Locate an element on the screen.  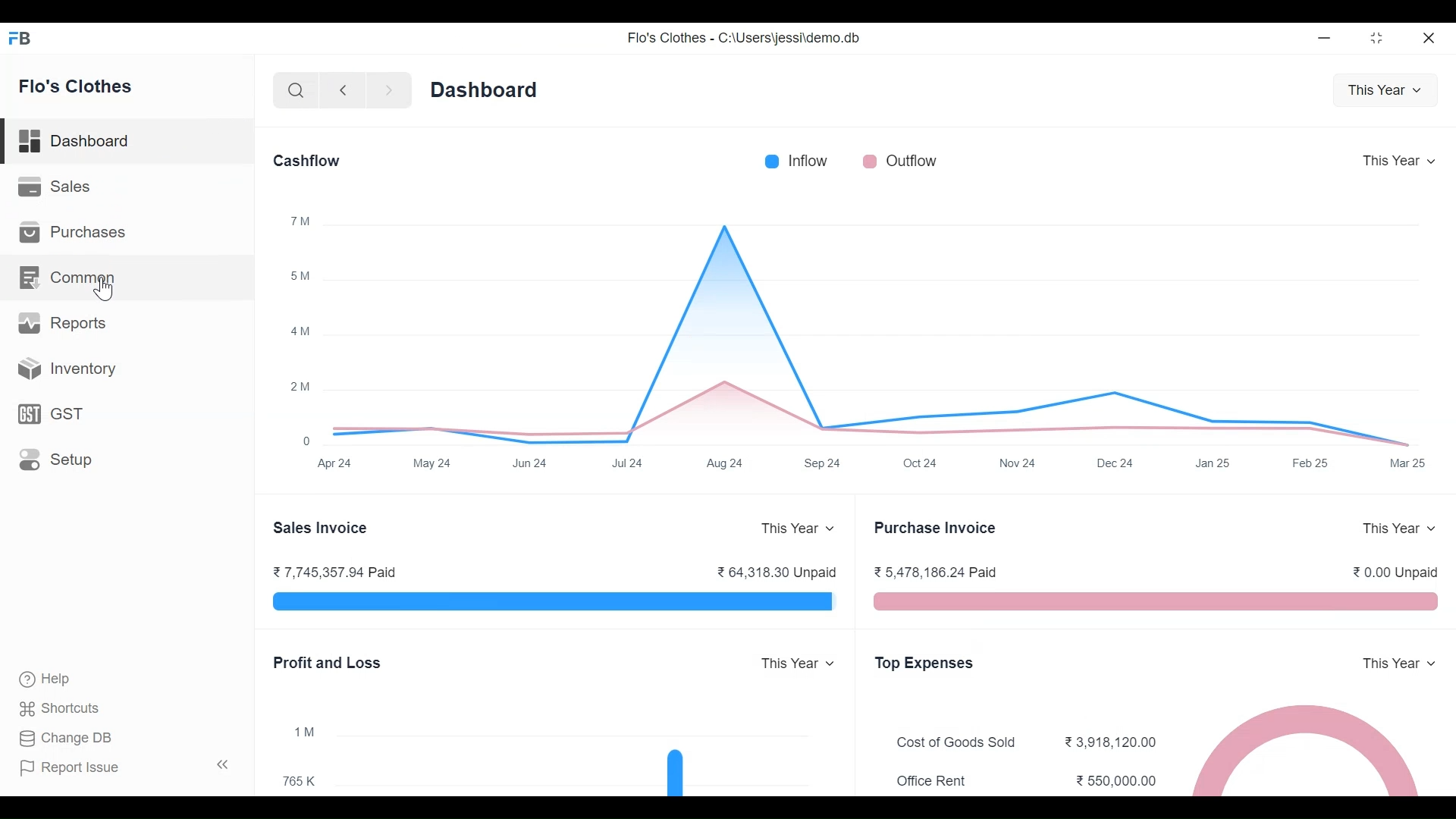
Cashflow is located at coordinates (306, 160).